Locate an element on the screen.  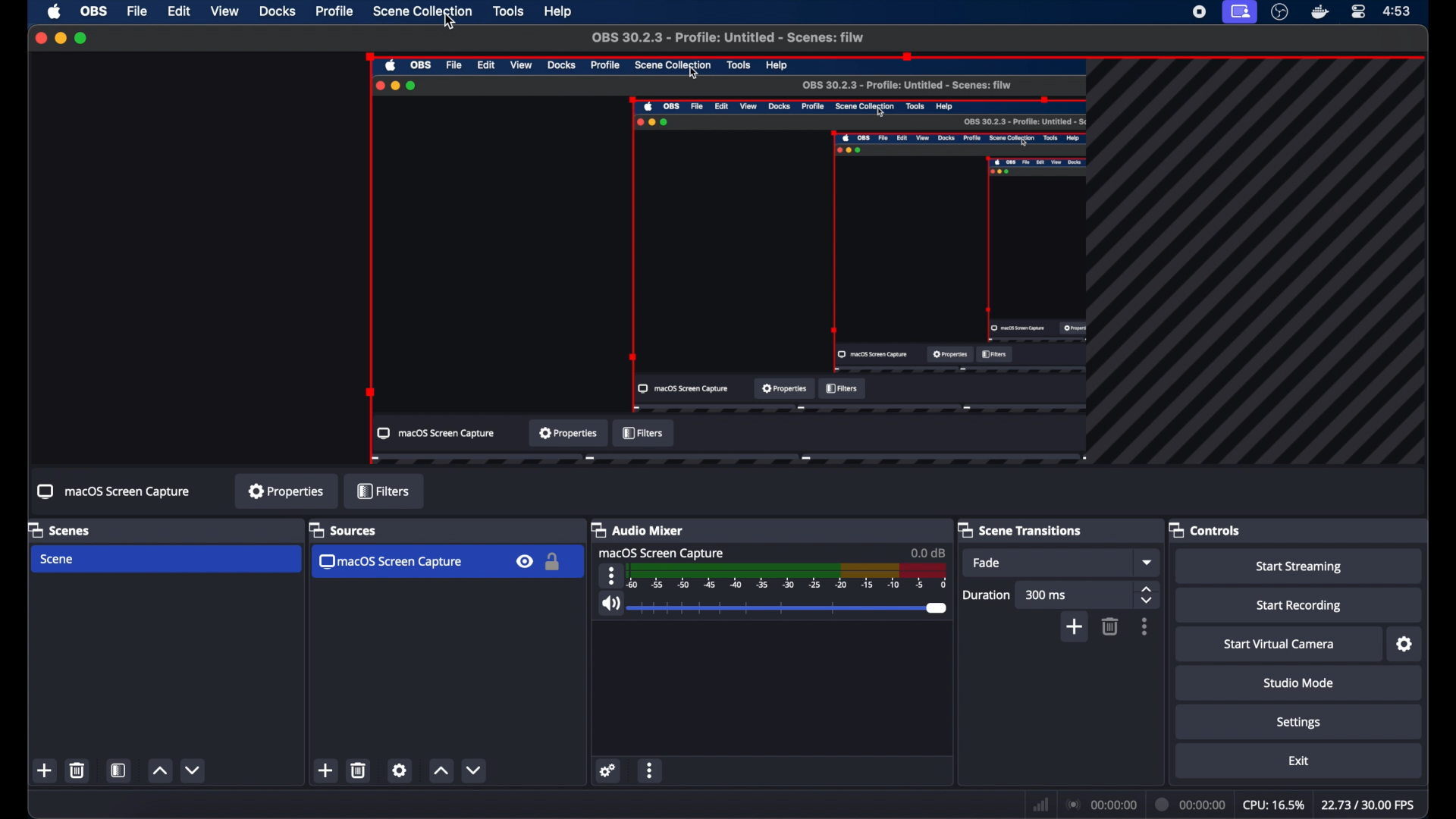
settings is located at coordinates (1404, 643).